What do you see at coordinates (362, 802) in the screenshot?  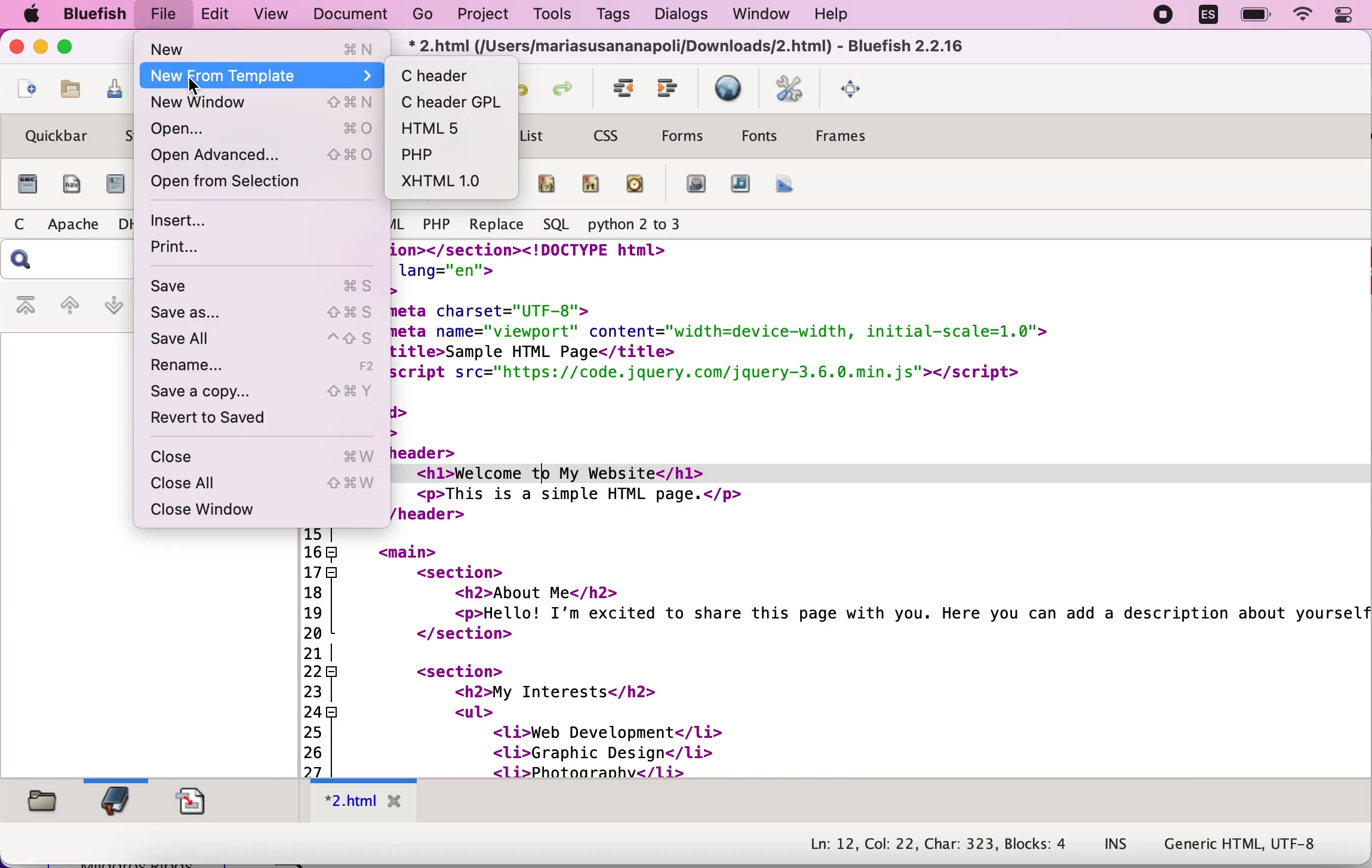 I see `tab` at bounding box center [362, 802].